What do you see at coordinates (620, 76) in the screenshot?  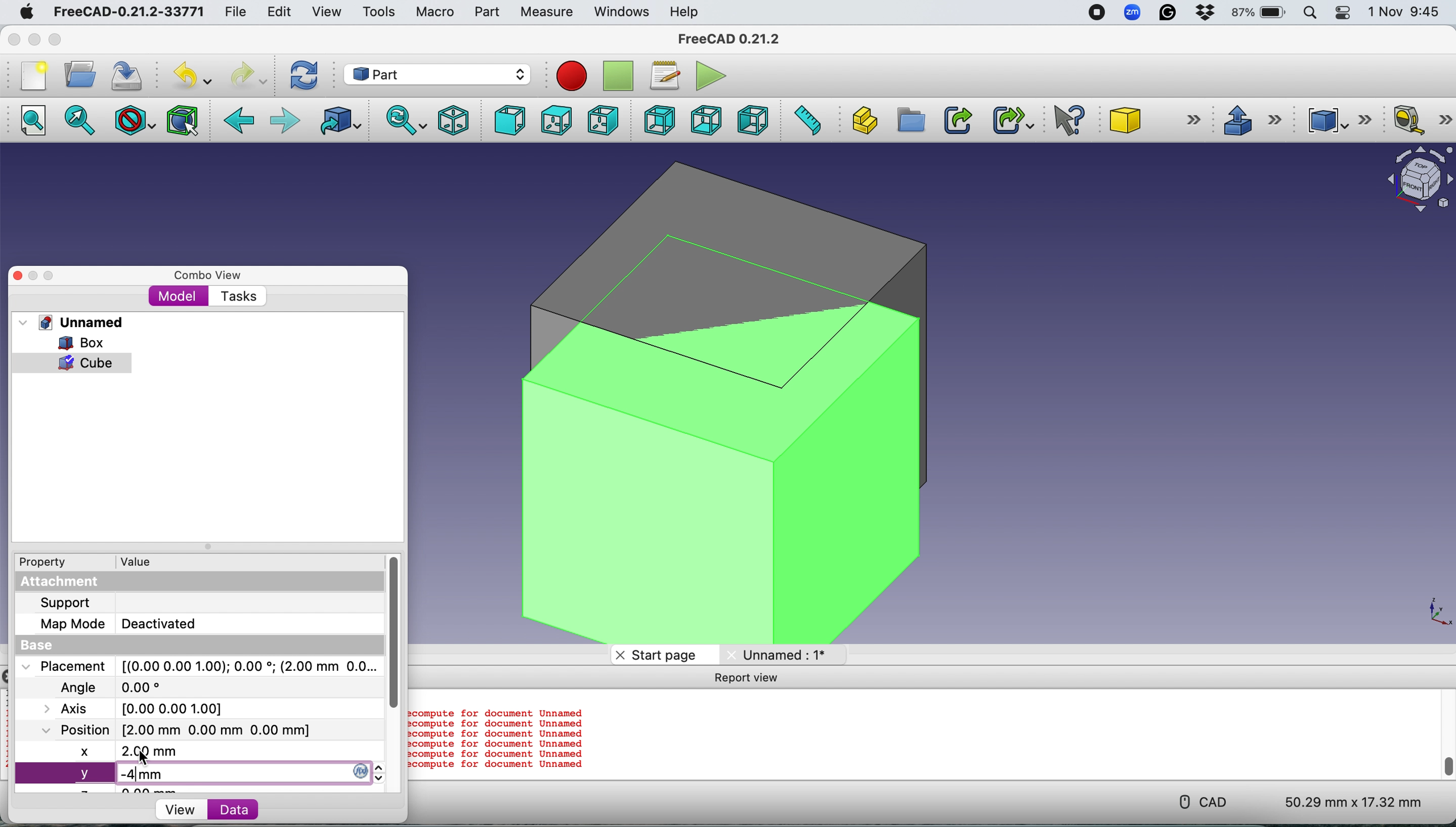 I see `Stop recording macros` at bounding box center [620, 76].